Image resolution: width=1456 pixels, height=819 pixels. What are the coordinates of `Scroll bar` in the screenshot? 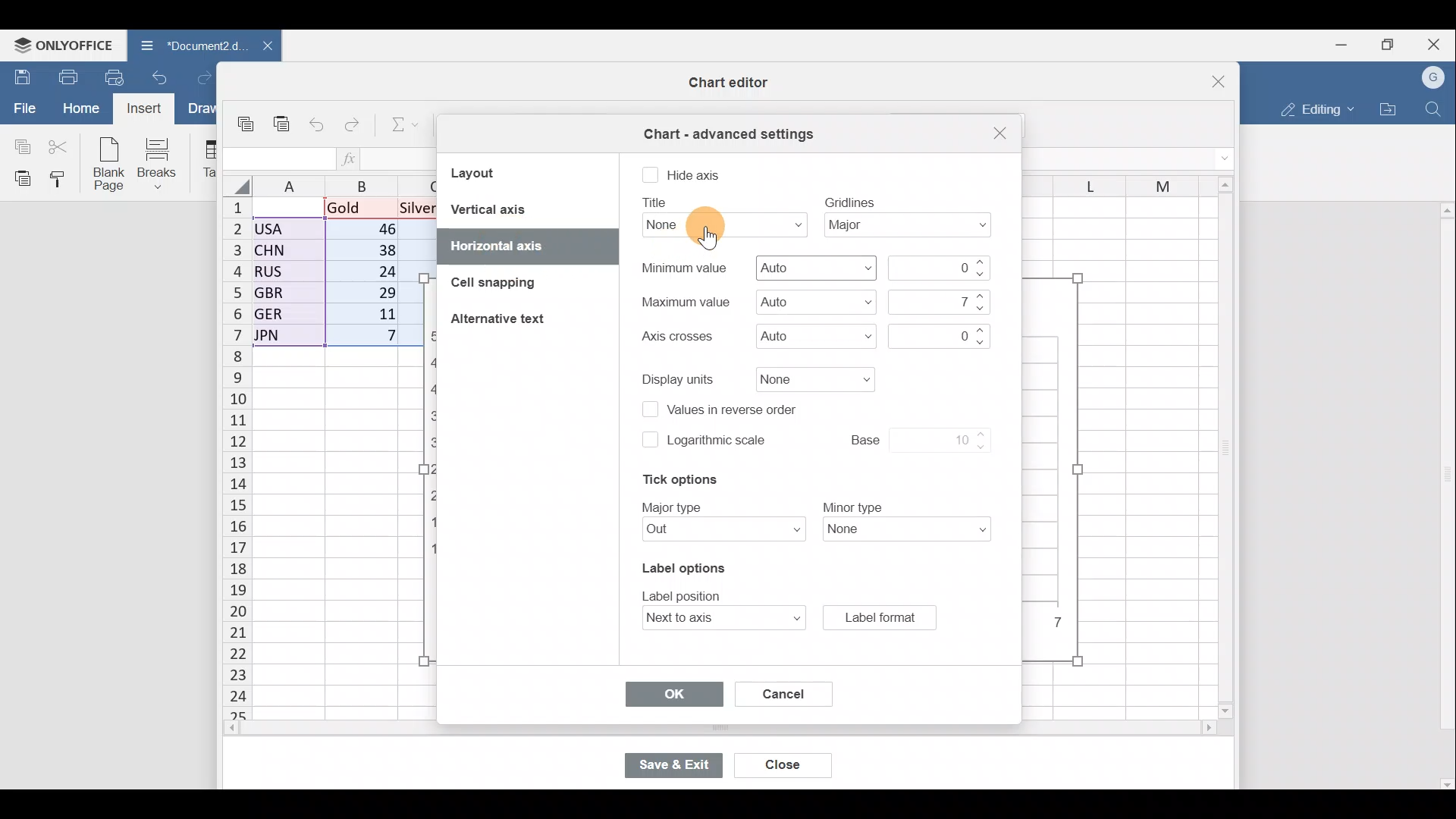 It's located at (688, 730).